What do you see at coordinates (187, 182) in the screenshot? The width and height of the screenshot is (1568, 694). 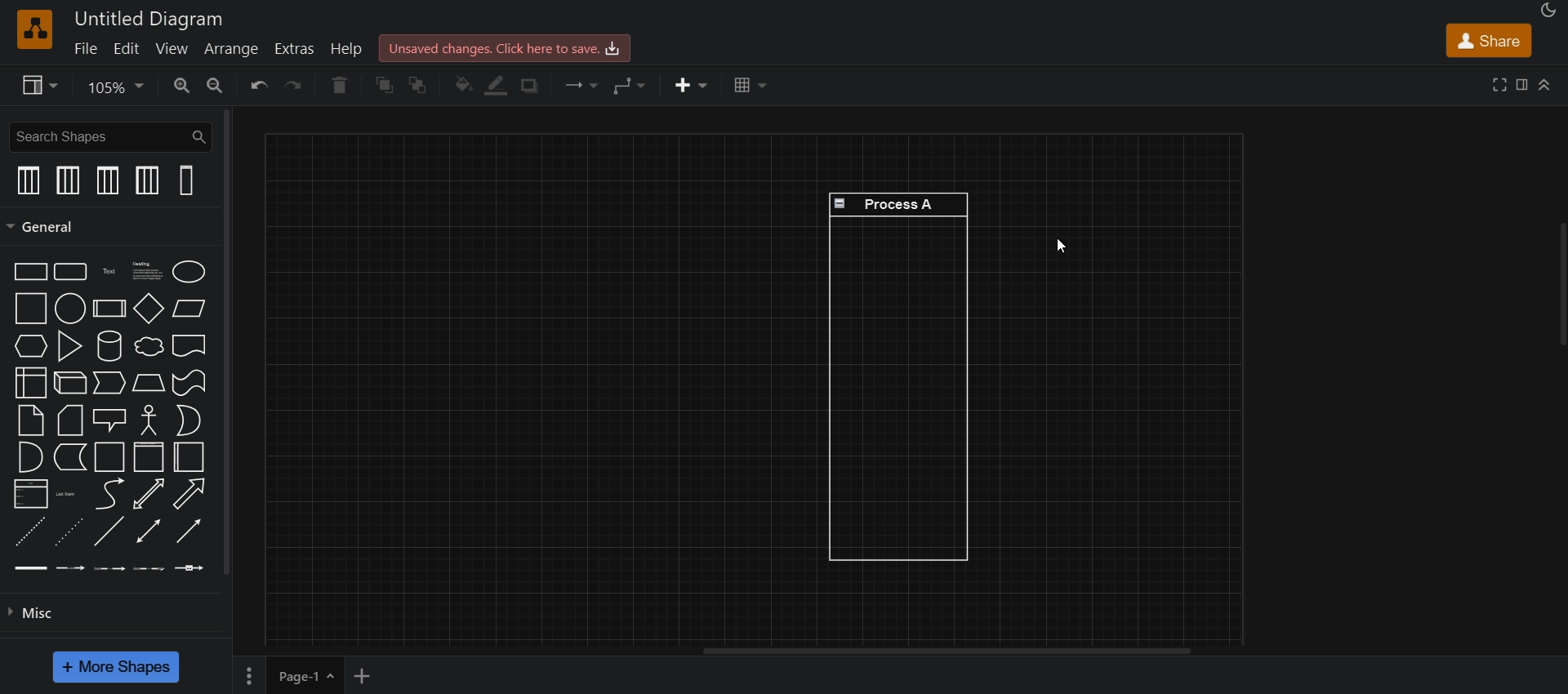 I see `vertical swimlanes` at bounding box center [187, 182].